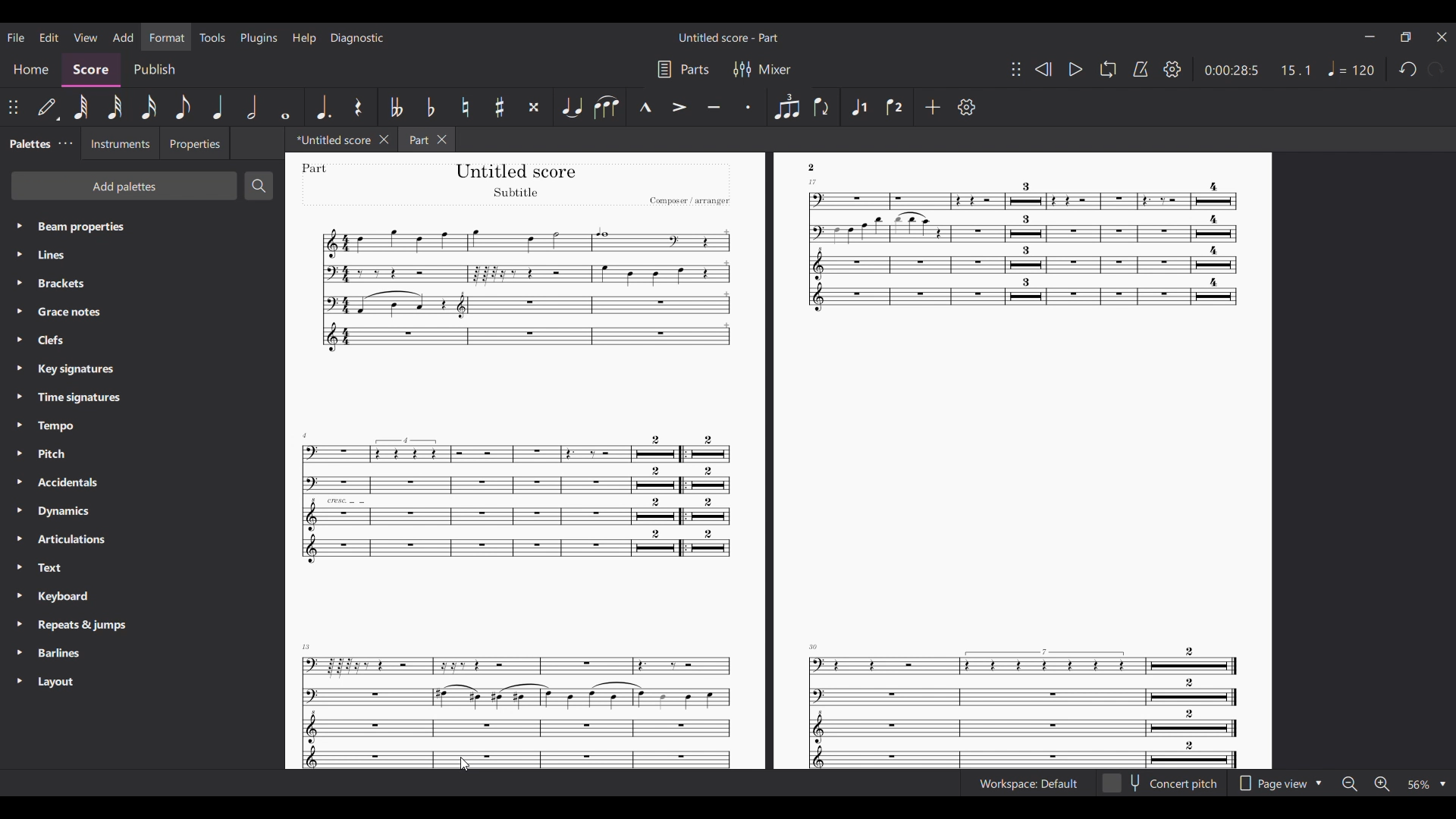  What do you see at coordinates (1421, 69) in the screenshot?
I see `Redo and undo` at bounding box center [1421, 69].